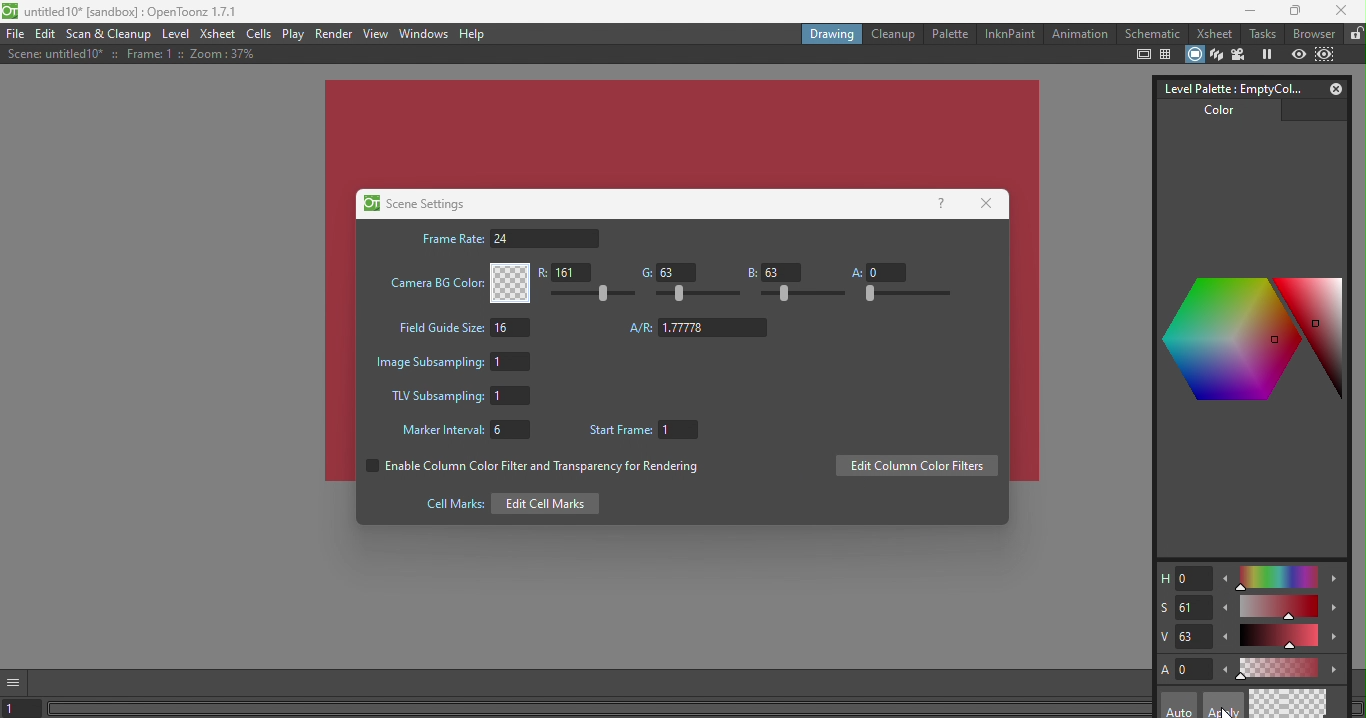  I want to click on Sub-camera preview, so click(1326, 53).